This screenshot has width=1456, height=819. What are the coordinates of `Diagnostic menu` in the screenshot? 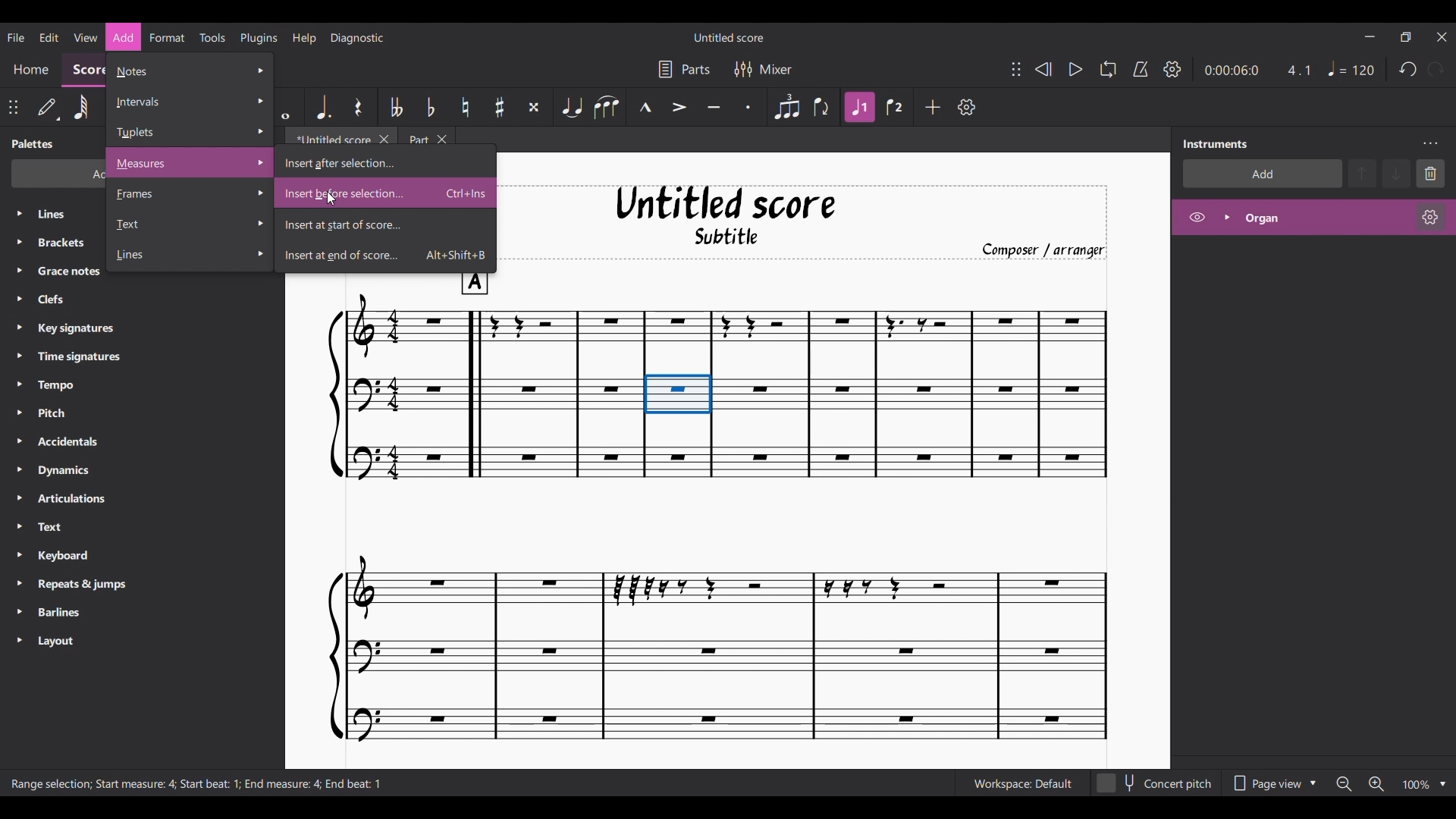 It's located at (357, 37).